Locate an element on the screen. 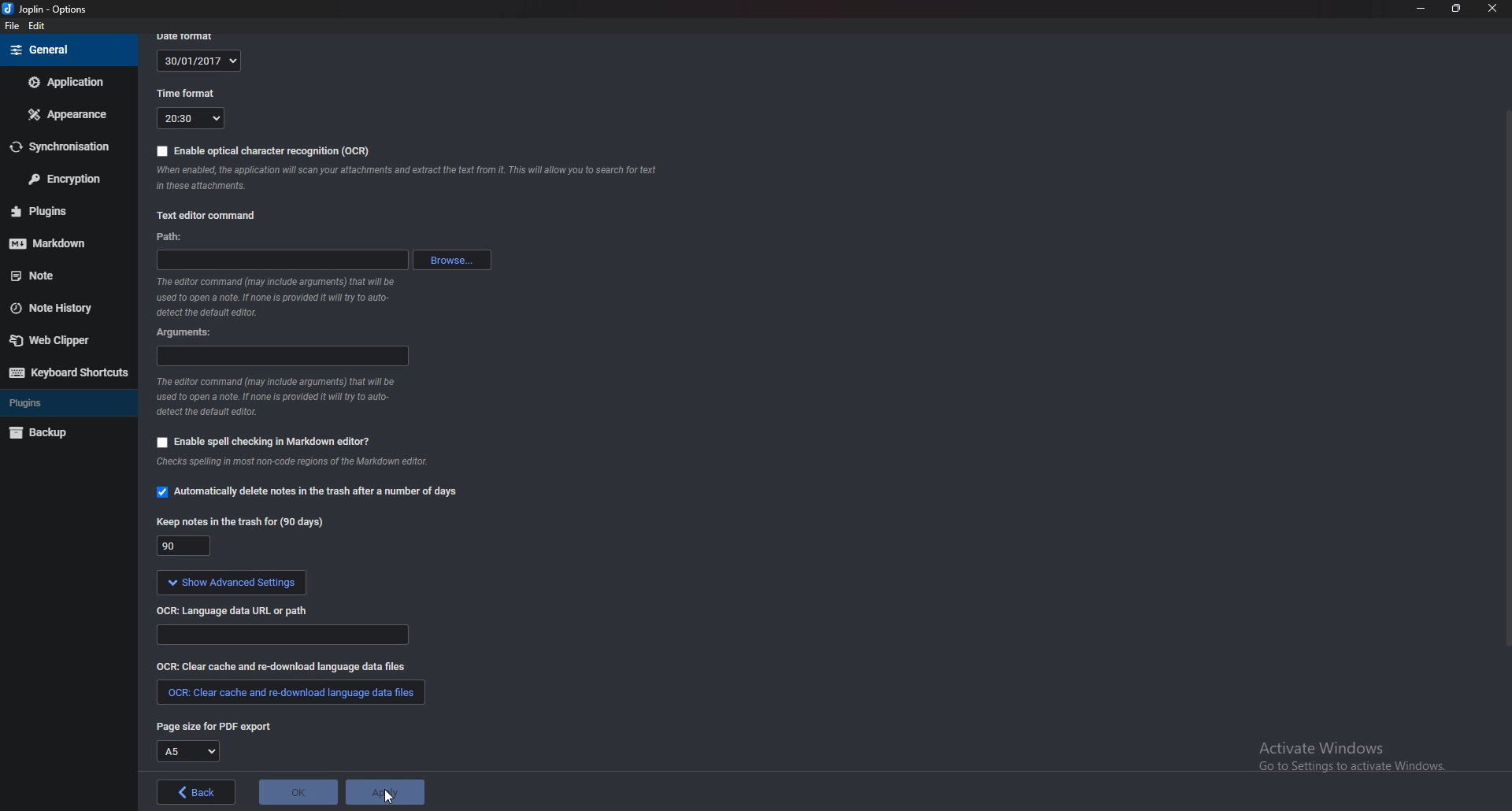 The image size is (1512, 811). ocr info is located at coordinates (404, 176).